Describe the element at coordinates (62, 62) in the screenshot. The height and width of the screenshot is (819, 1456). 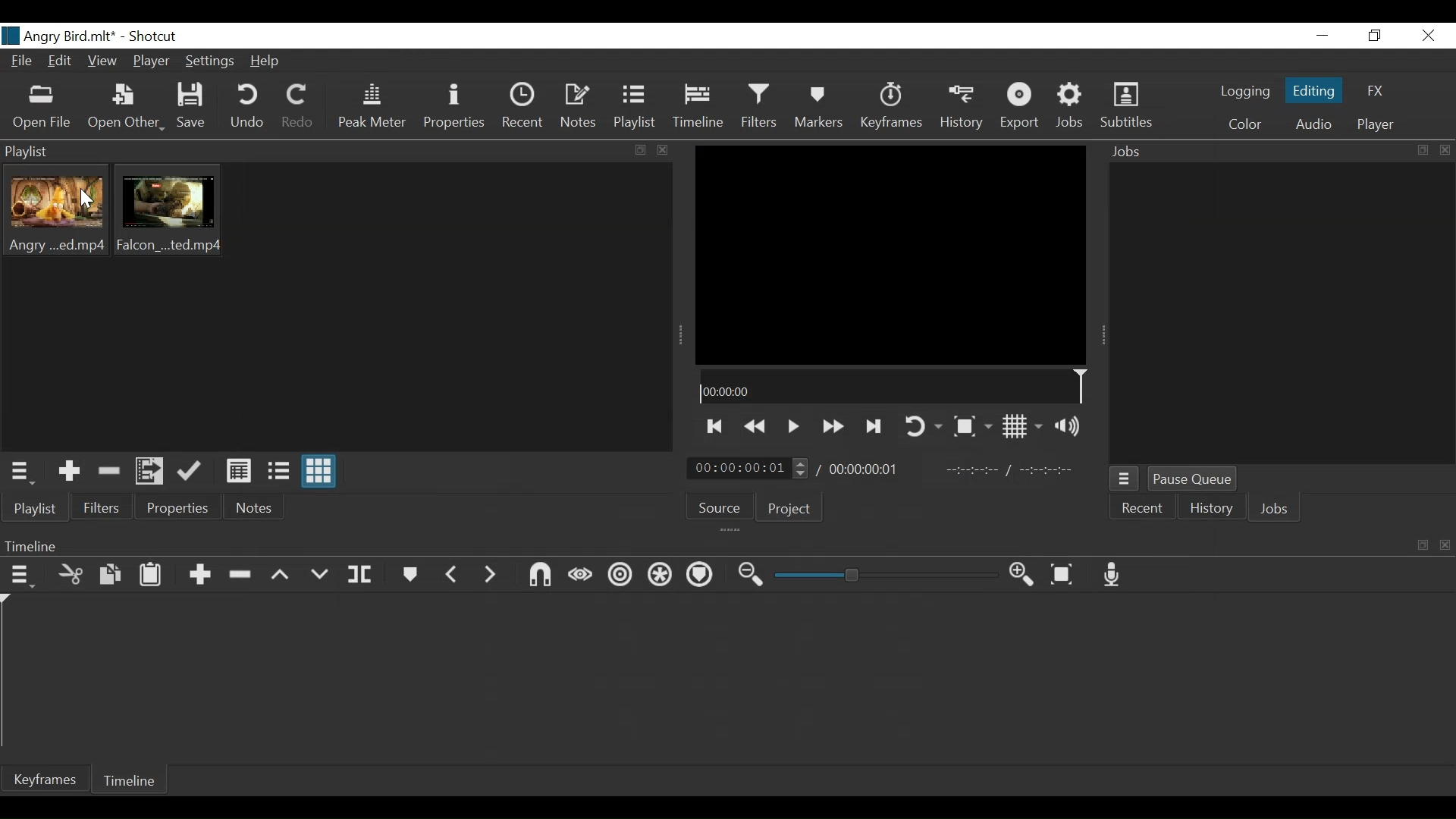
I see `Edit` at that location.